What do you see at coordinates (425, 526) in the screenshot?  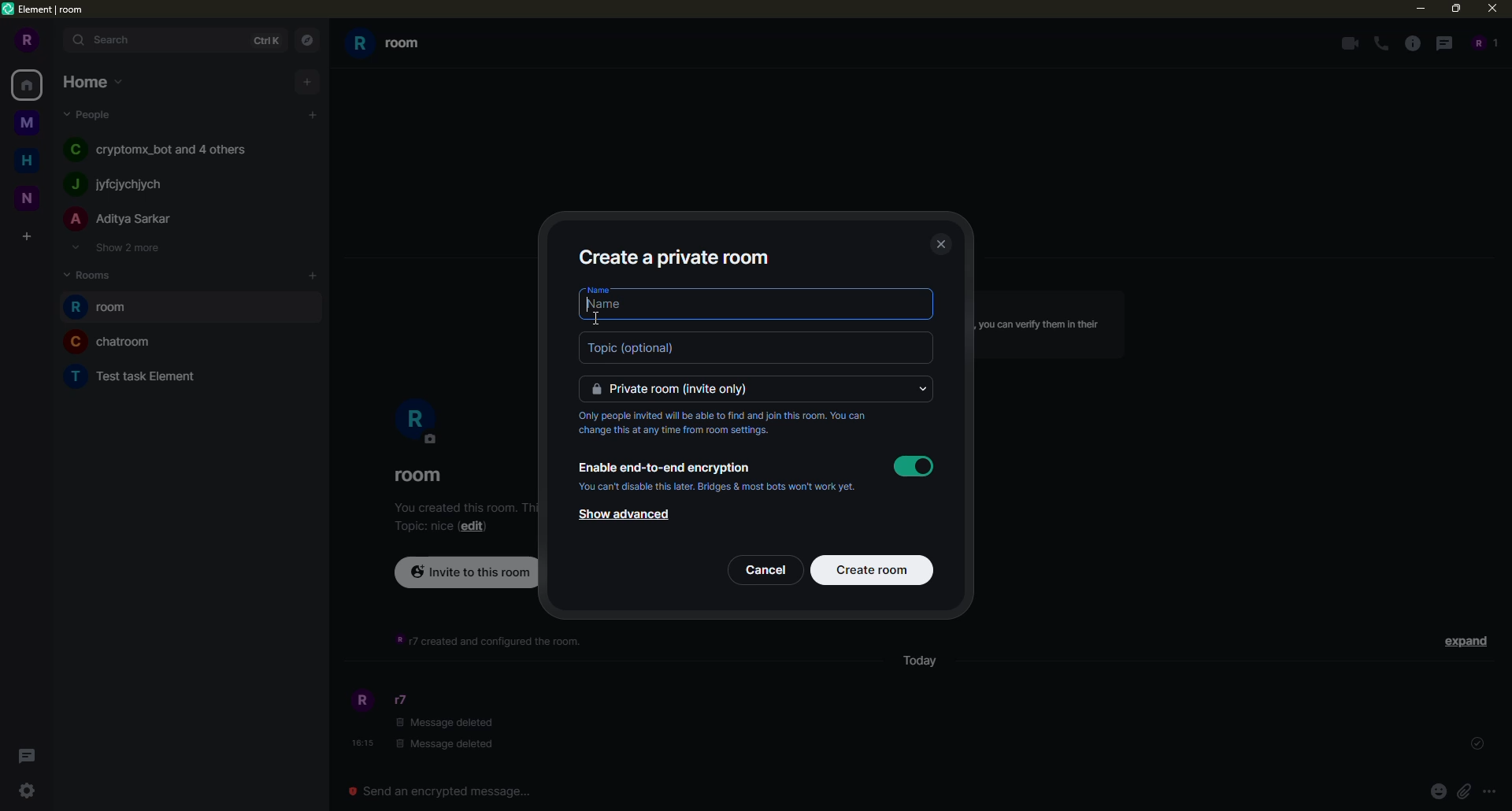 I see `topic` at bounding box center [425, 526].